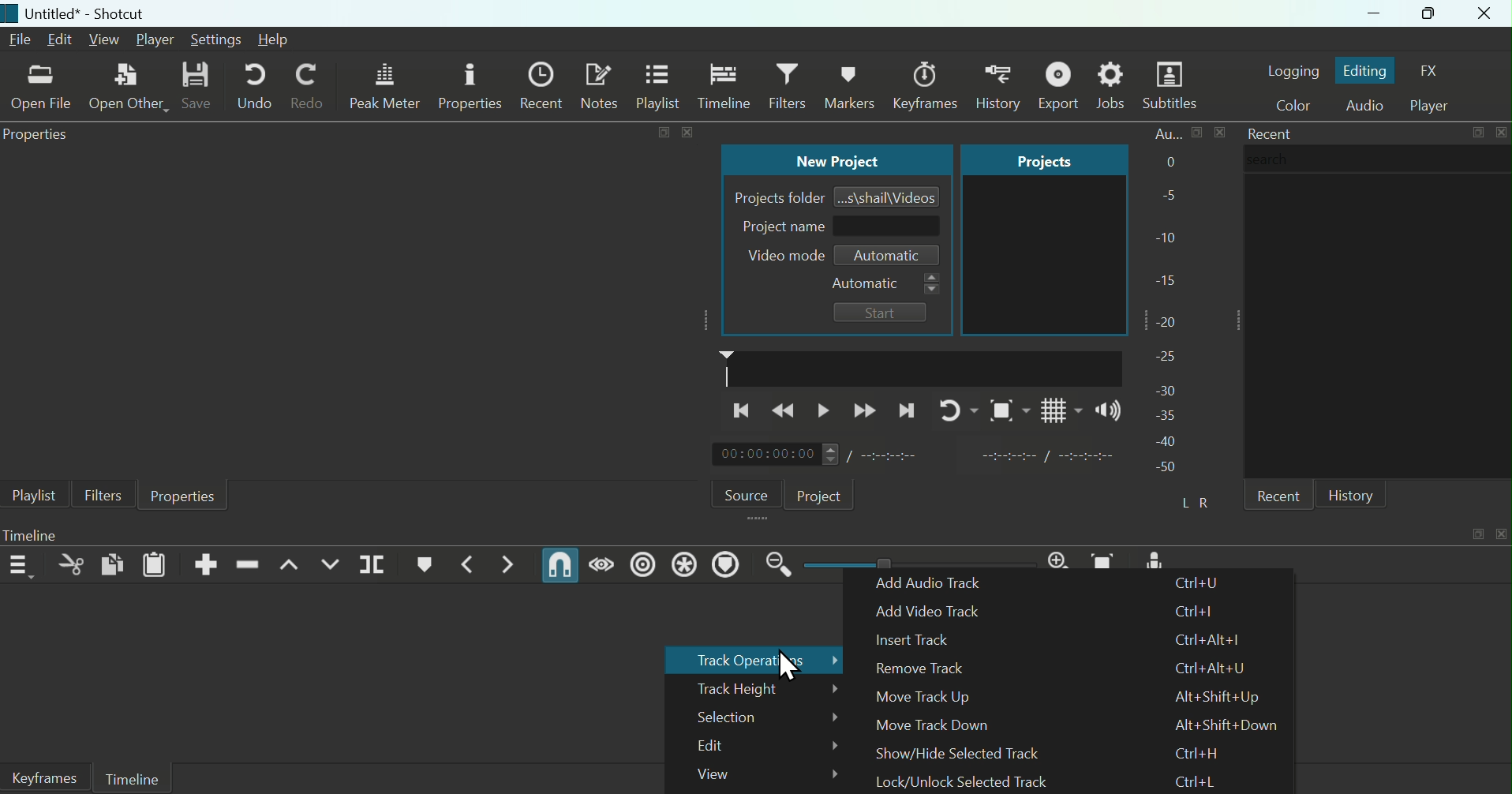  What do you see at coordinates (1163, 414) in the screenshot?
I see `-35` at bounding box center [1163, 414].